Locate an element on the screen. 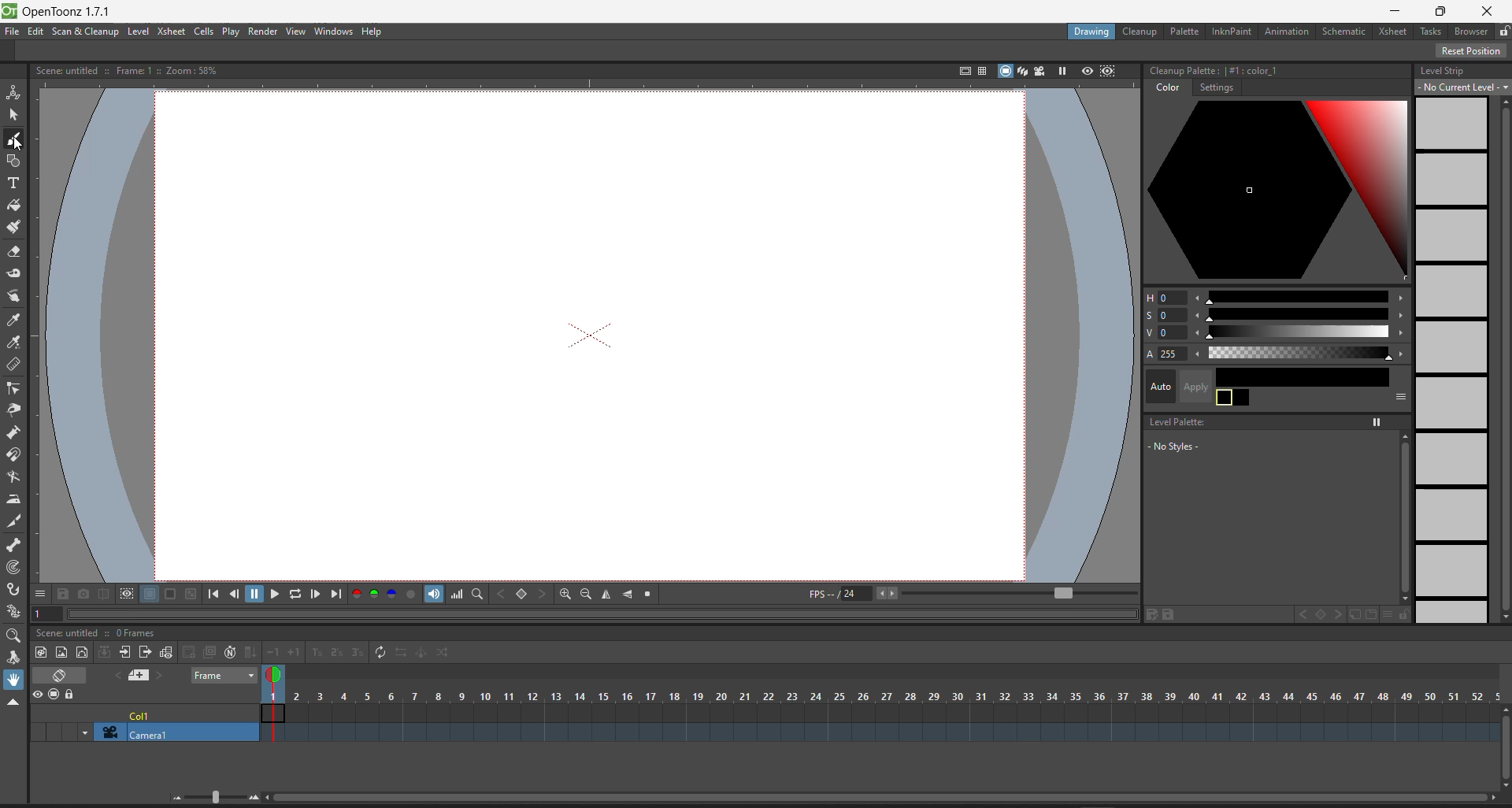 The image size is (1512, 808). safe area is located at coordinates (961, 71).